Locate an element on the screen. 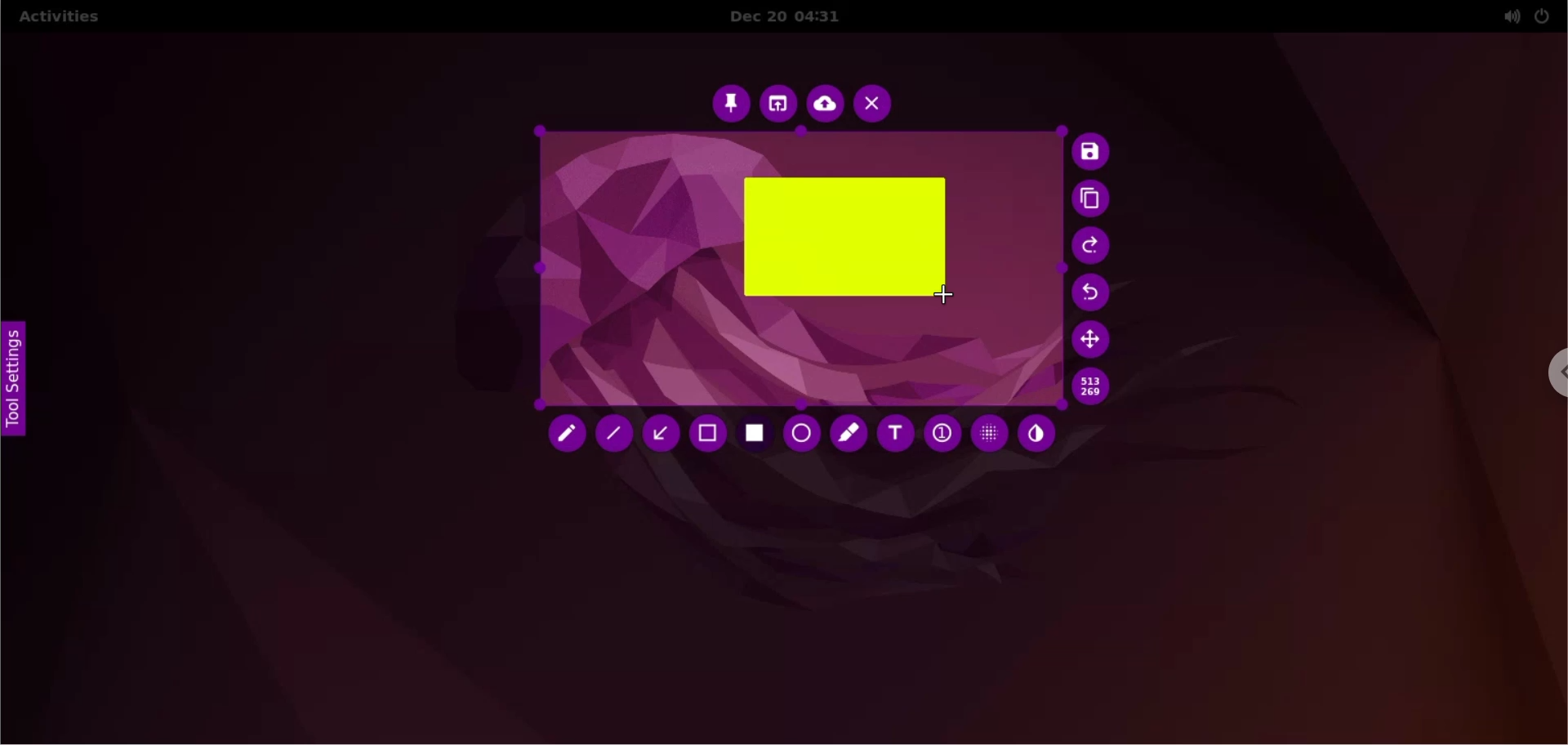 Image resolution: width=1568 pixels, height=745 pixels. x and y coordinate values is located at coordinates (1095, 389).